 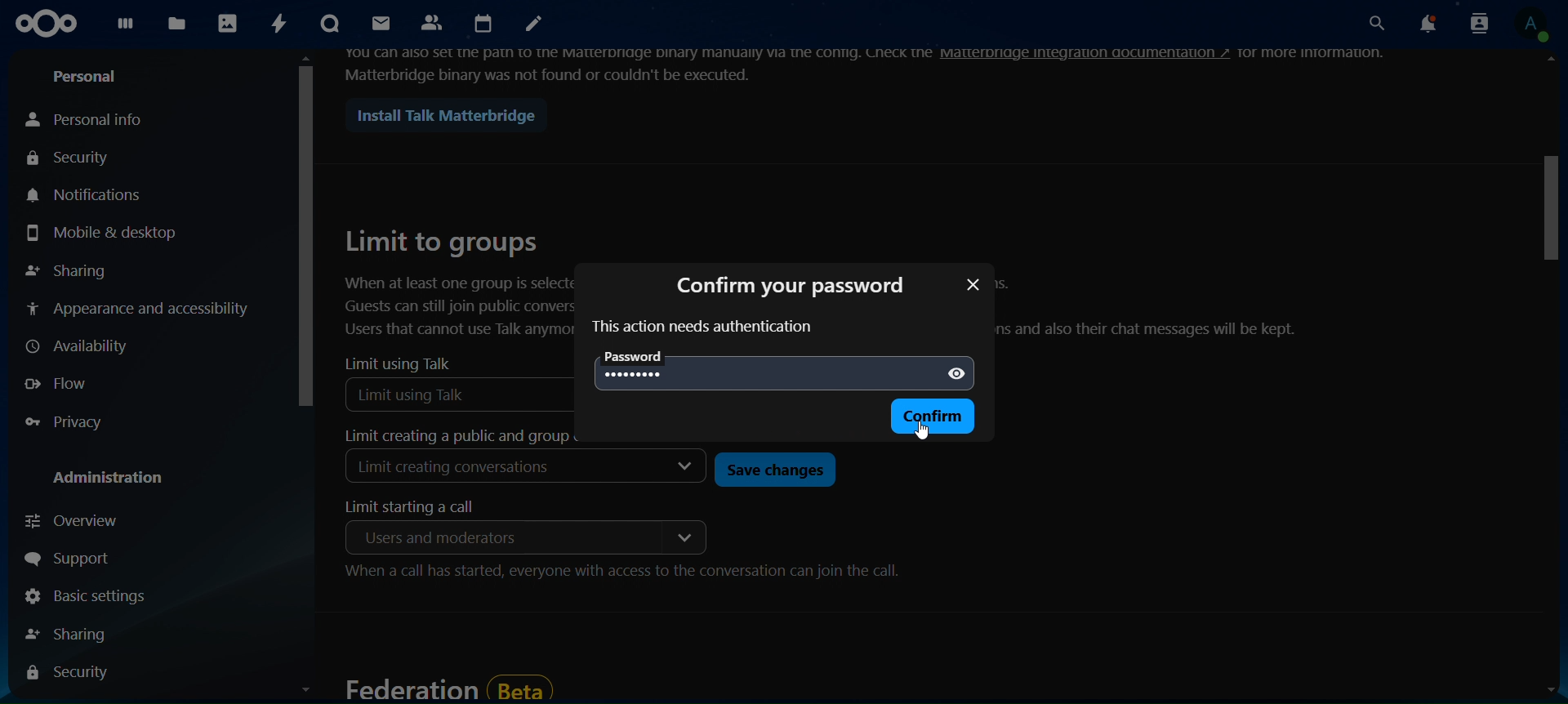 I want to click on scroll bar, so click(x=307, y=381).